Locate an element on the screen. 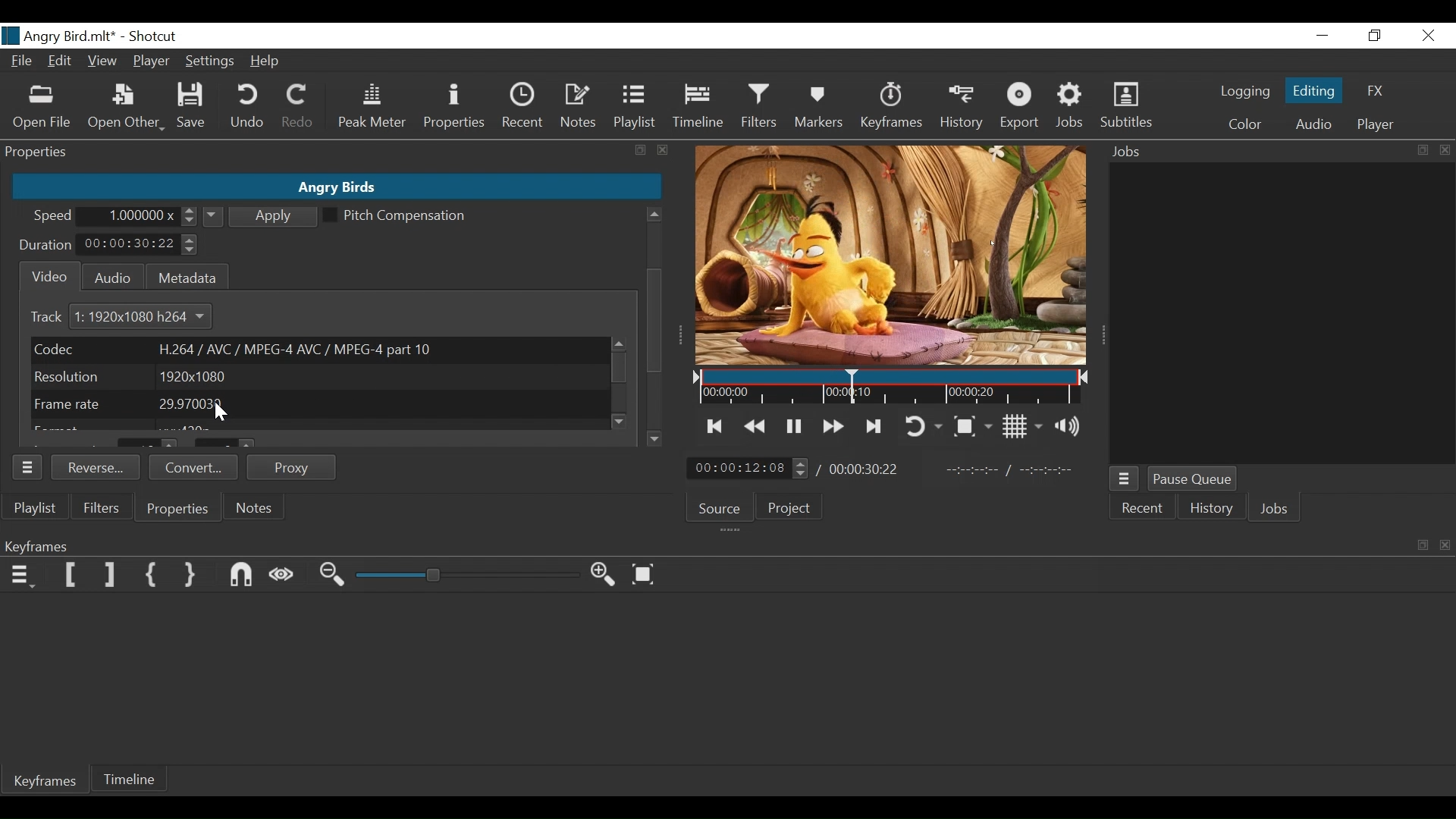 This screenshot has width=1456, height=819. Cursor is located at coordinates (221, 413).